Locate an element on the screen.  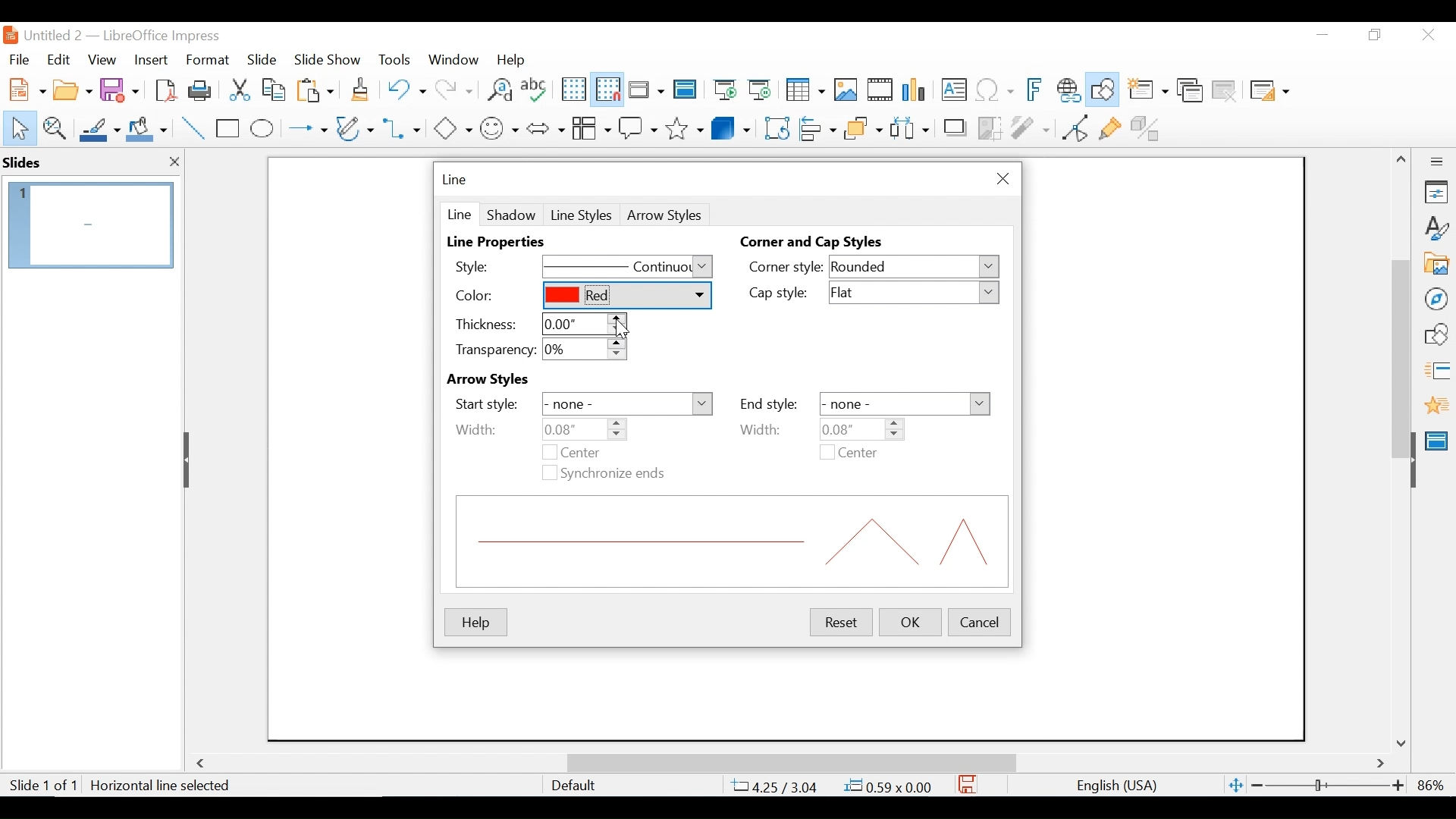
End Style is located at coordinates (768, 404).